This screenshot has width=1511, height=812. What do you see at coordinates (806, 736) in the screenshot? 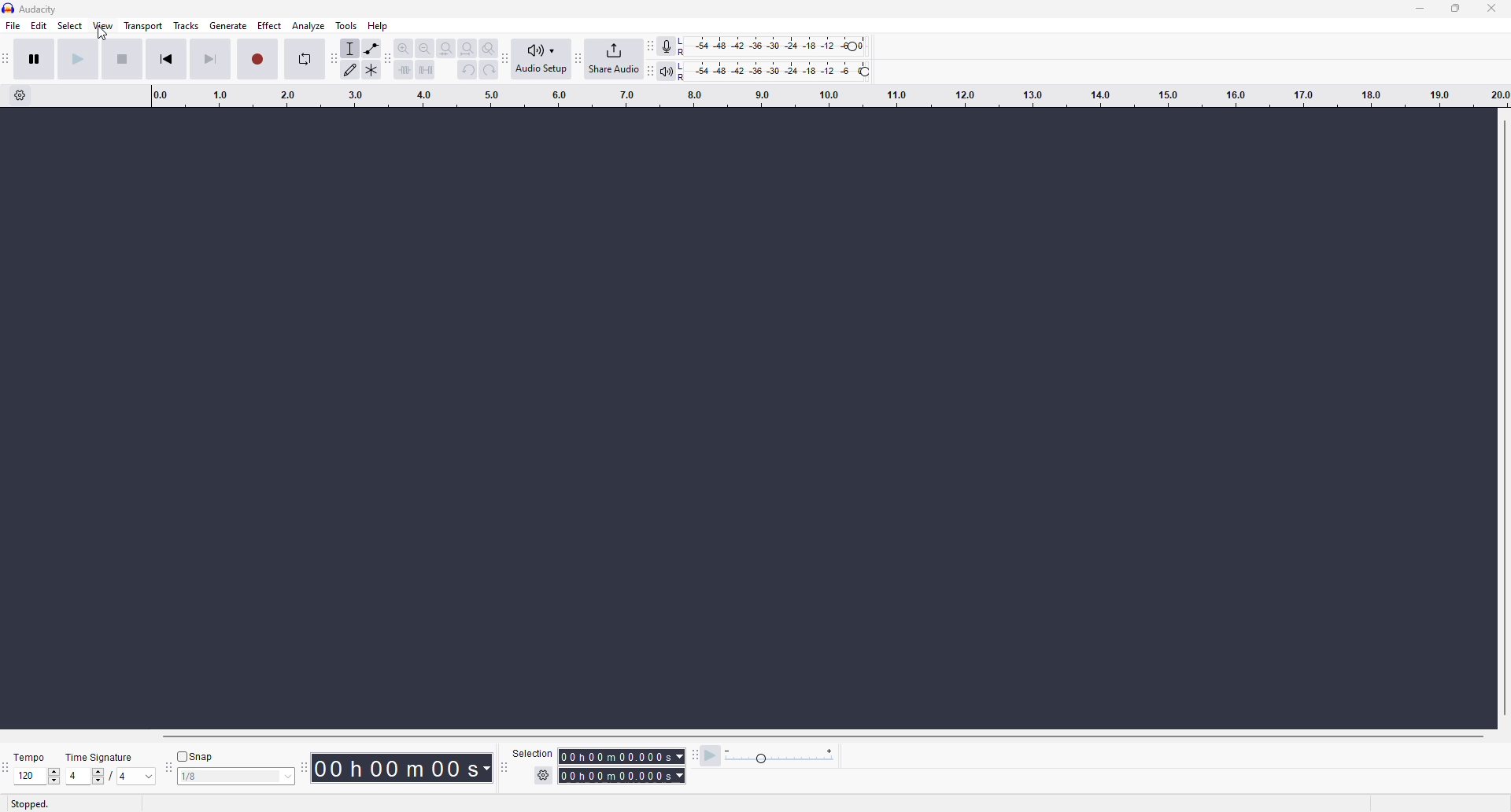
I see `Horizontal scrollbar` at bounding box center [806, 736].